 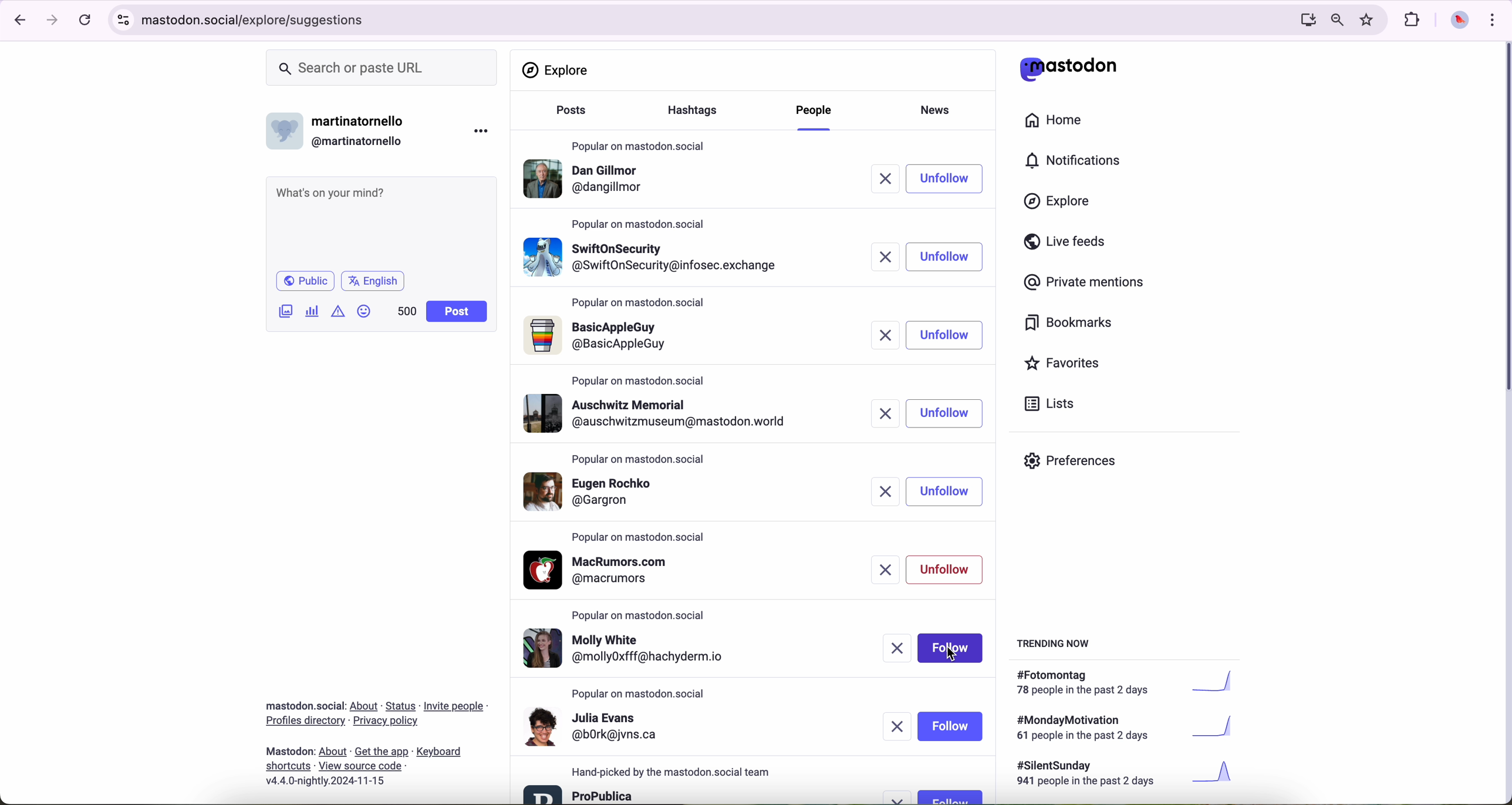 I want to click on popular on mastodon.social, so click(x=637, y=457).